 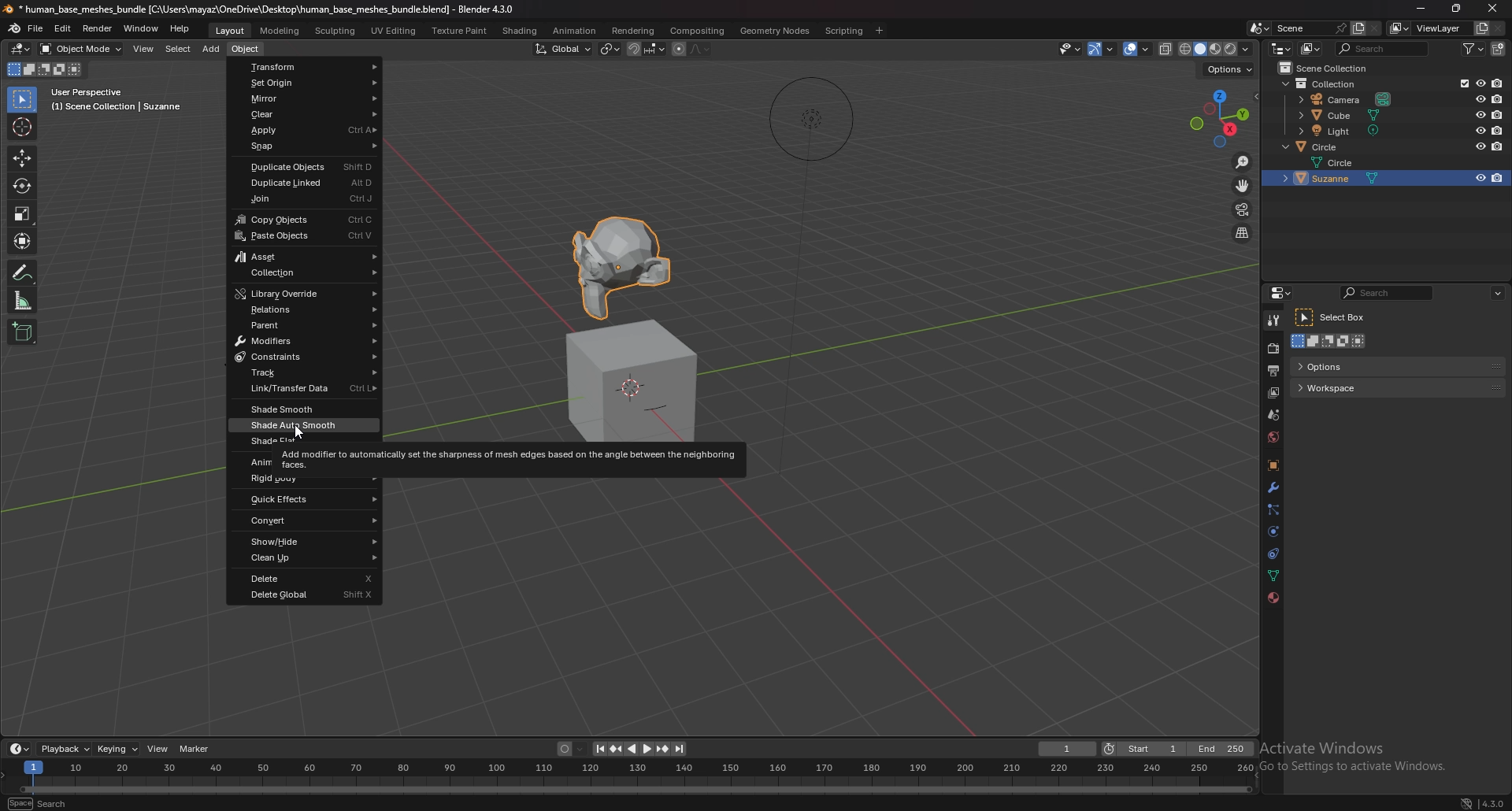 What do you see at coordinates (1498, 98) in the screenshot?
I see `disable in renders` at bounding box center [1498, 98].